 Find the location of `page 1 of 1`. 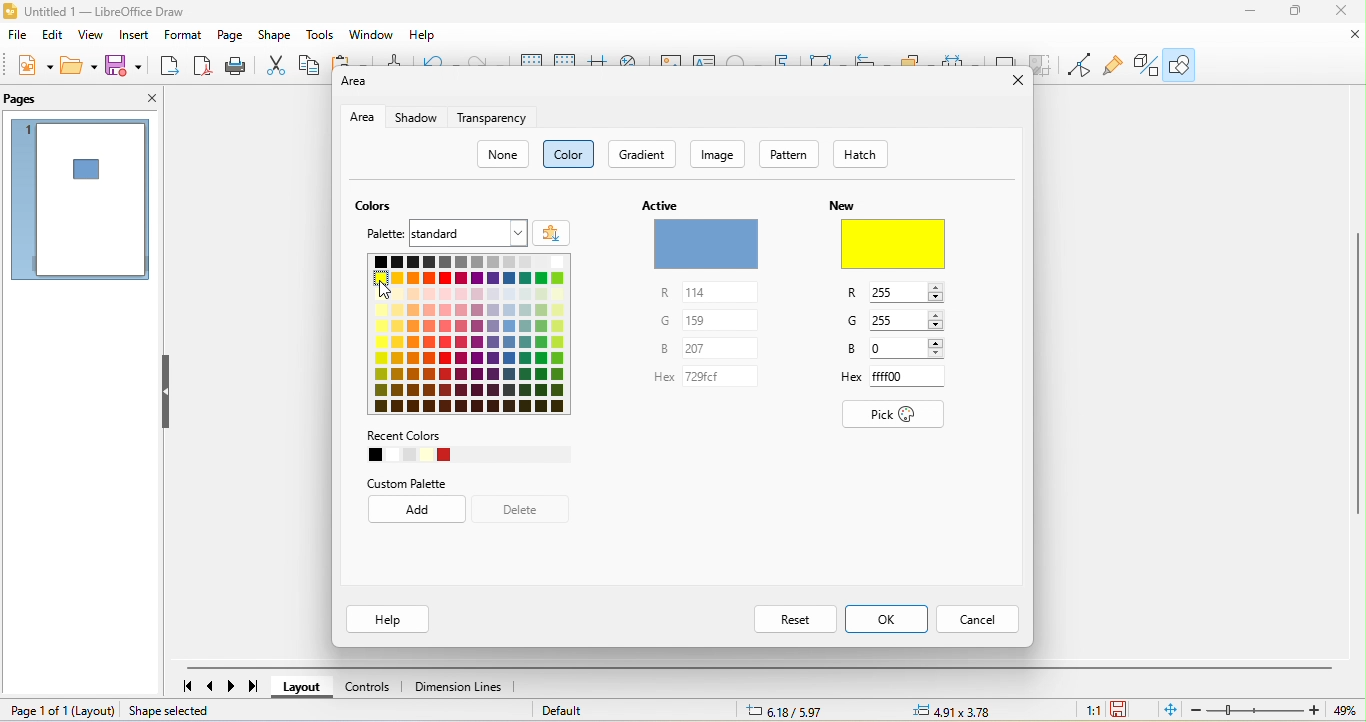

page 1 of 1 is located at coordinates (33, 712).